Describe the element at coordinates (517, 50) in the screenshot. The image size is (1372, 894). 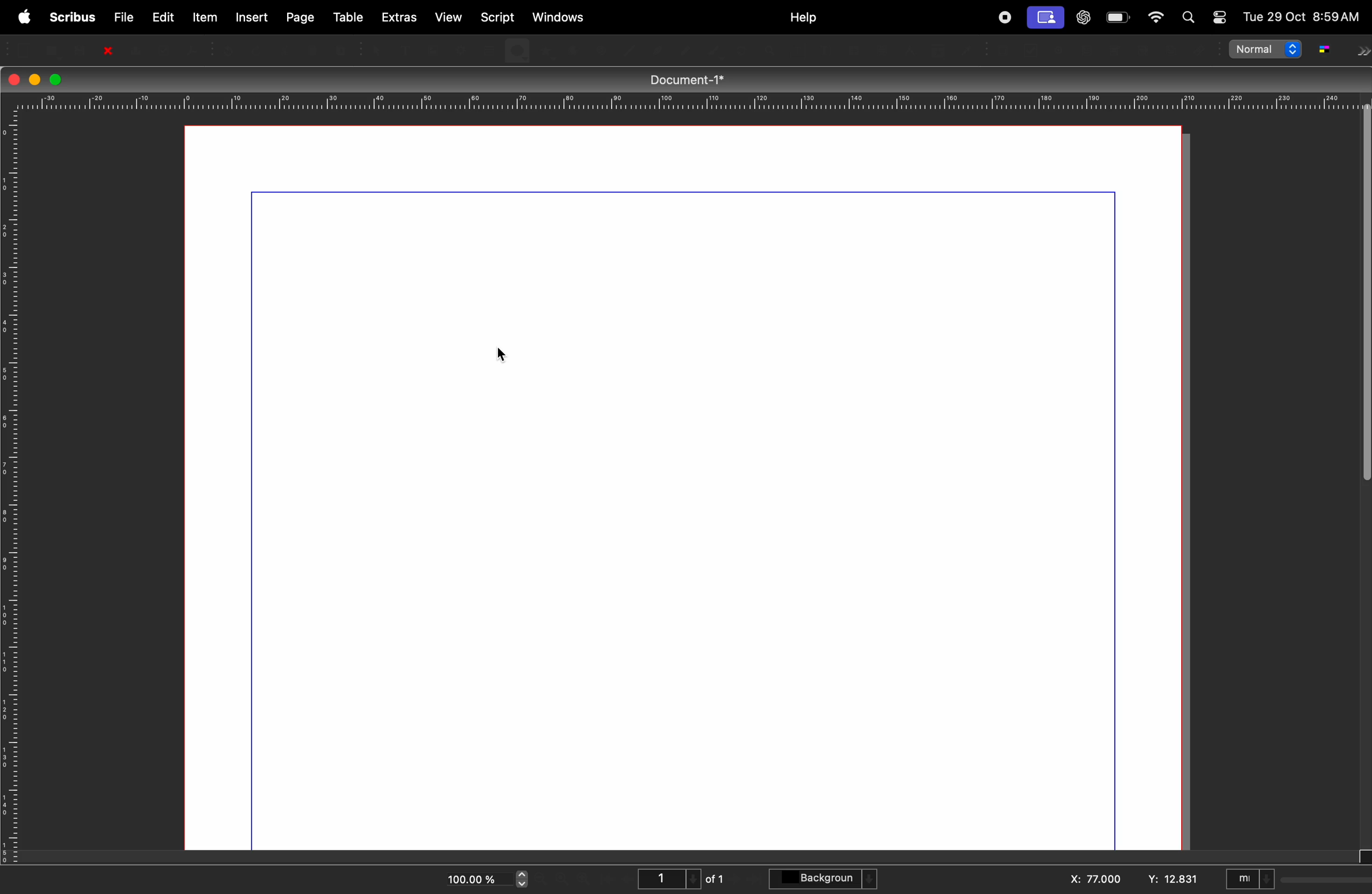
I see `shape` at that location.